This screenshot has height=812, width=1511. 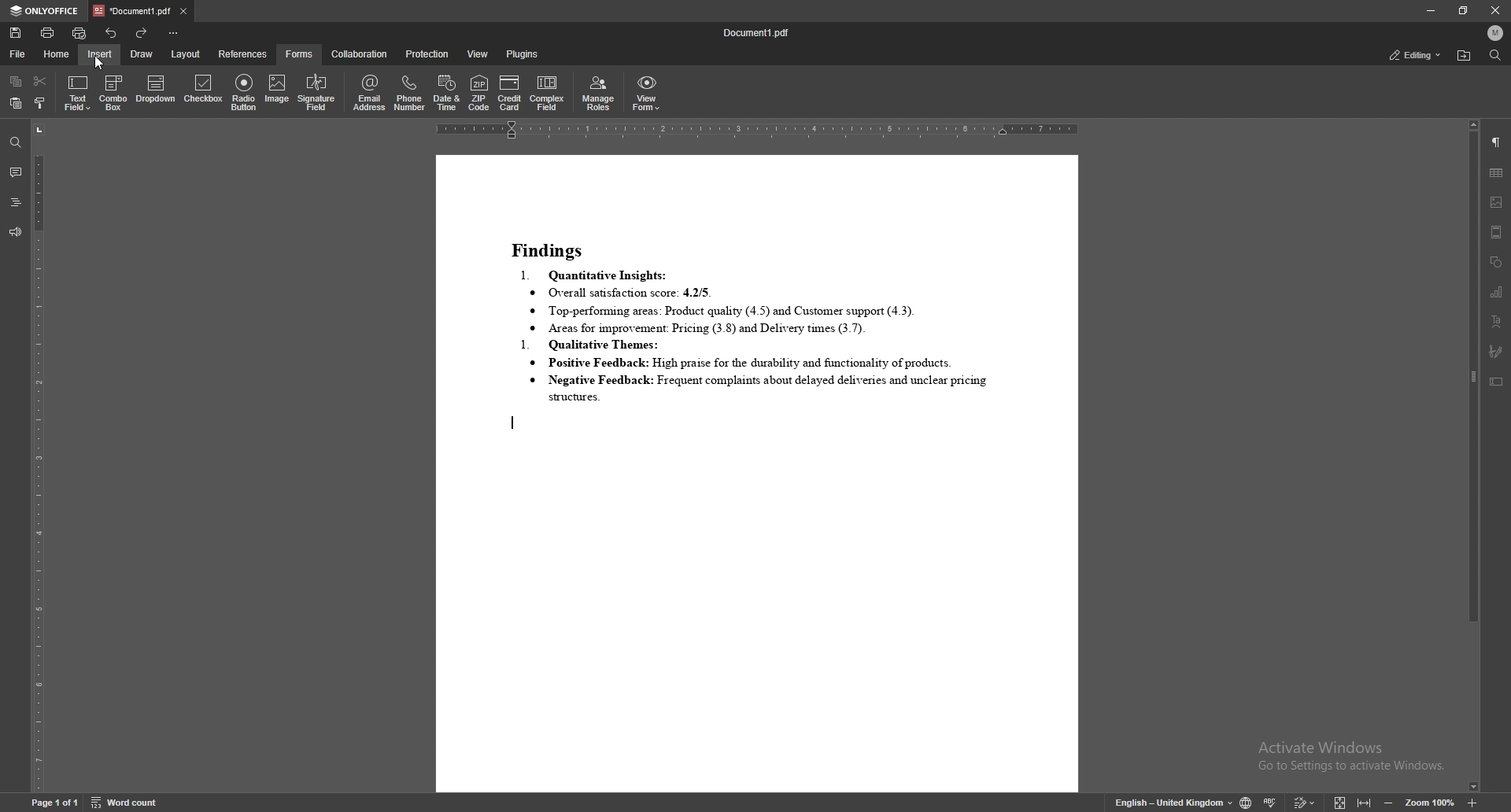 I want to click on forms, so click(x=301, y=54).